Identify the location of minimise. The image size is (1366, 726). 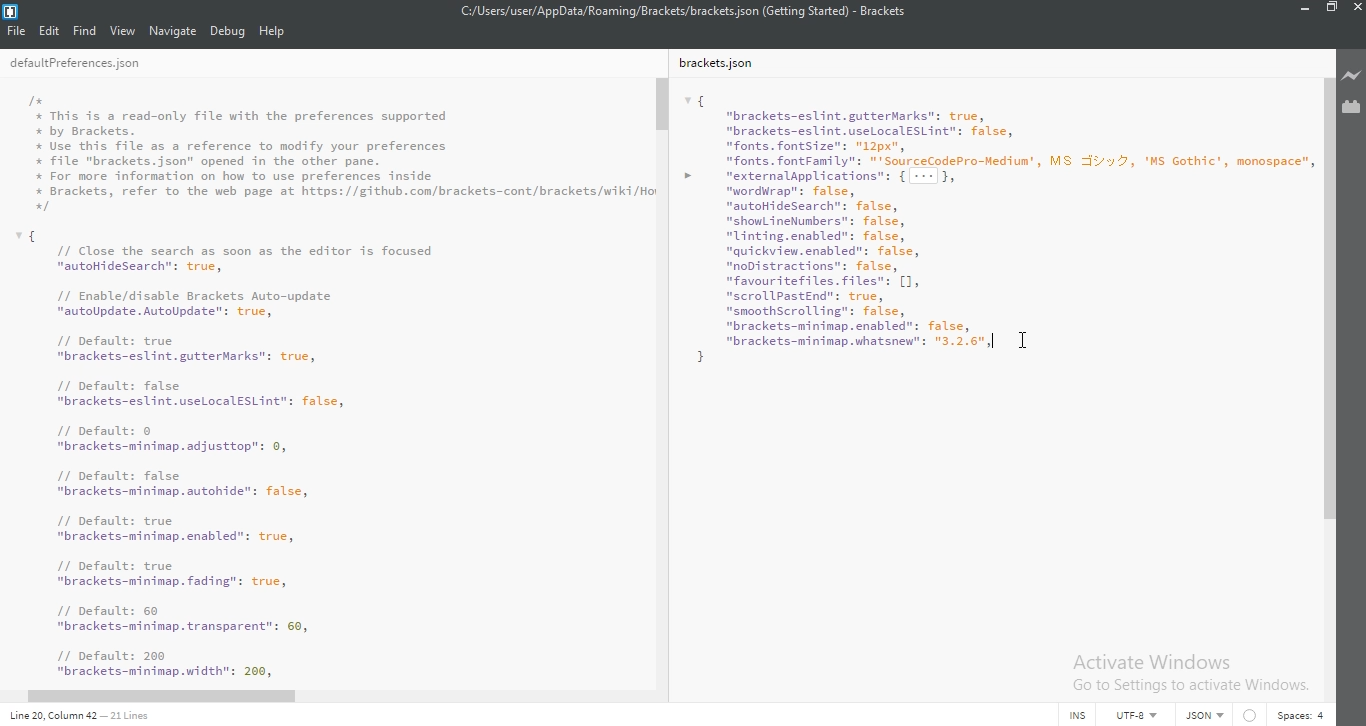
(1301, 11).